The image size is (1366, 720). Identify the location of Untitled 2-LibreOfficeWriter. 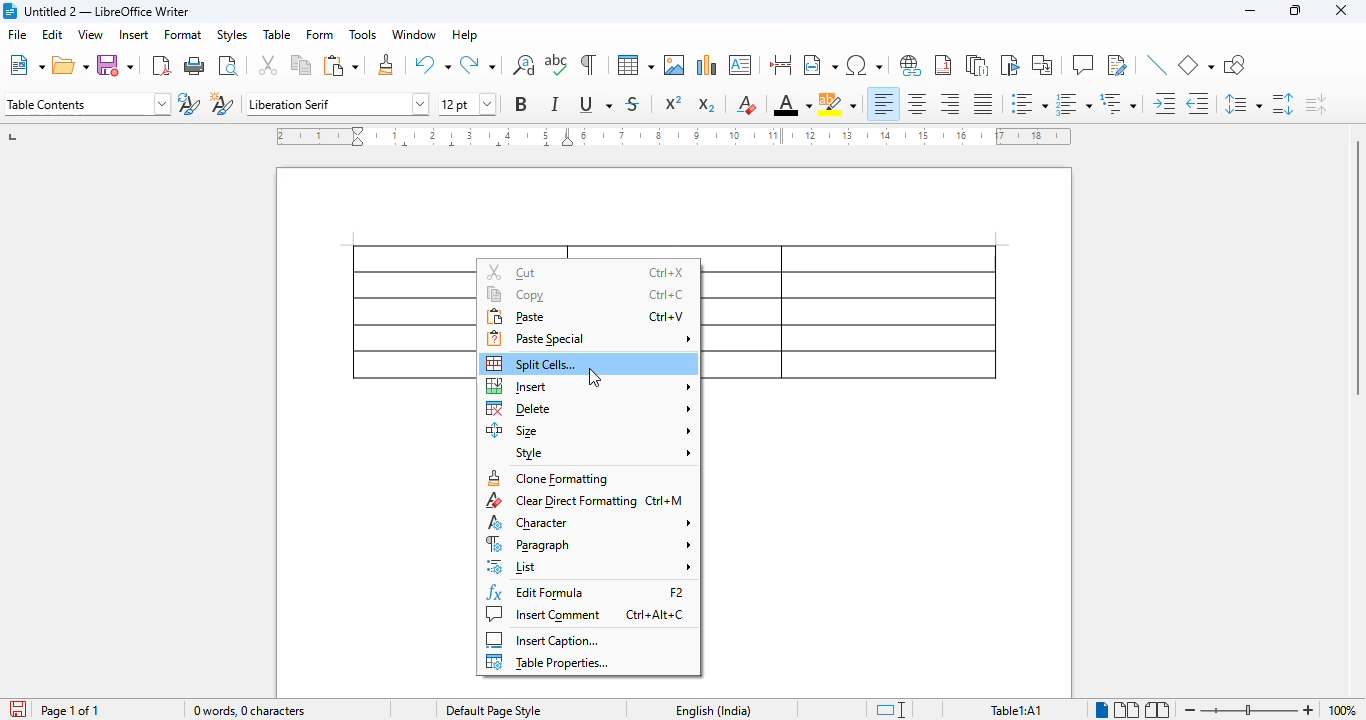
(108, 11).